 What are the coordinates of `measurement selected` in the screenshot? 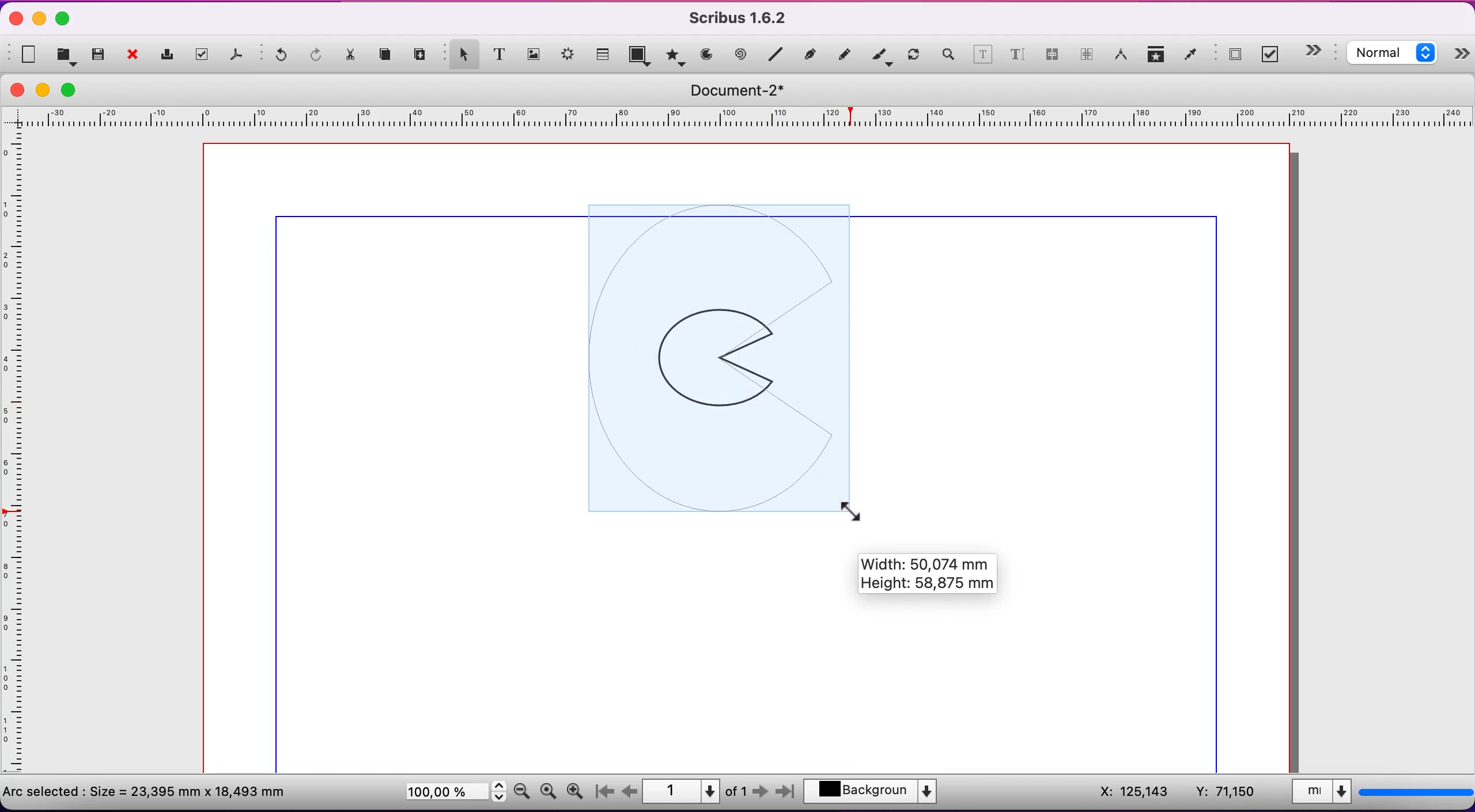 It's located at (1380, 794).